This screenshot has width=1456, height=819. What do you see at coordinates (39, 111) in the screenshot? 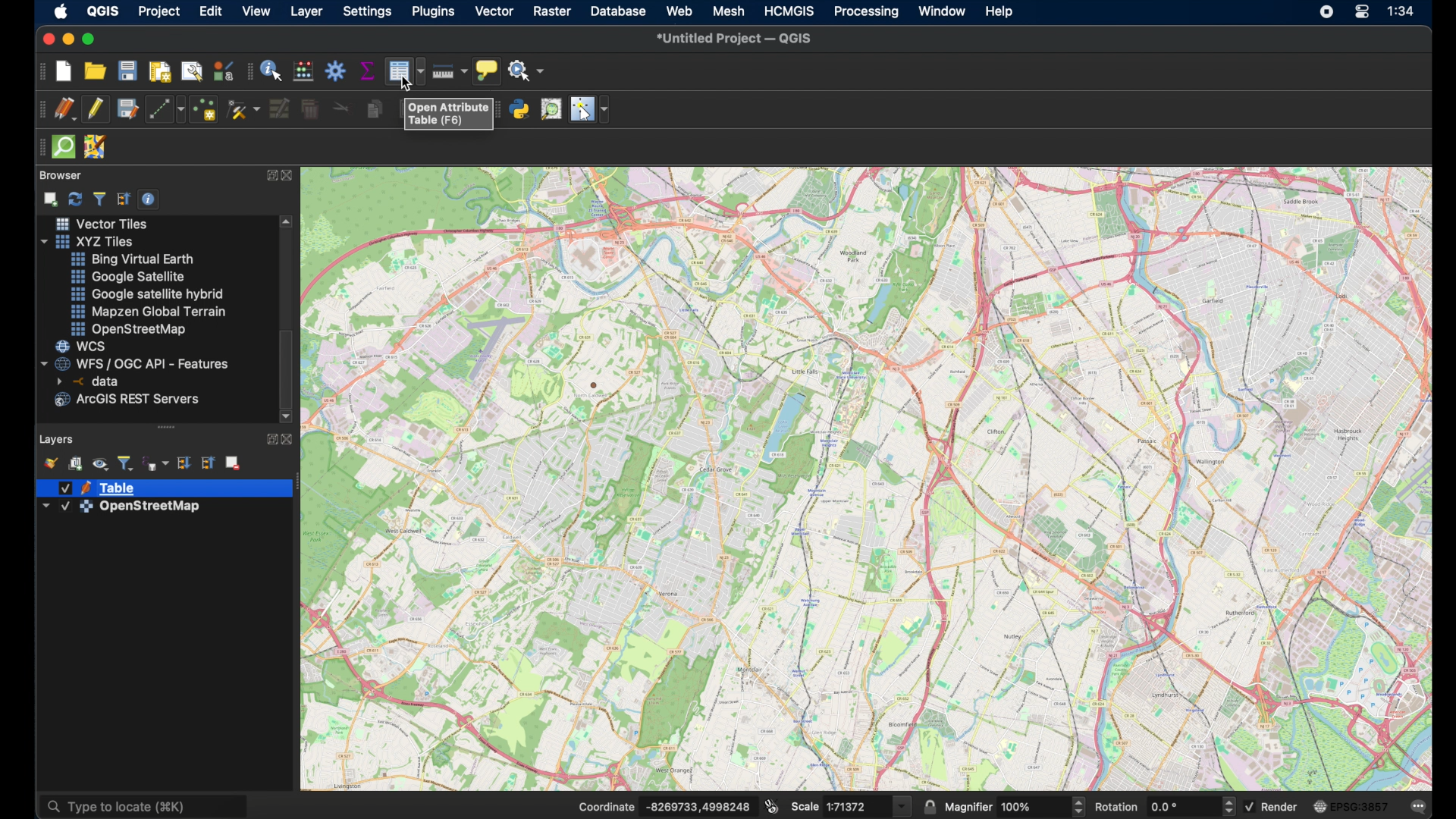
I see `digitizing toolbar` at bounding box center [39, 111].